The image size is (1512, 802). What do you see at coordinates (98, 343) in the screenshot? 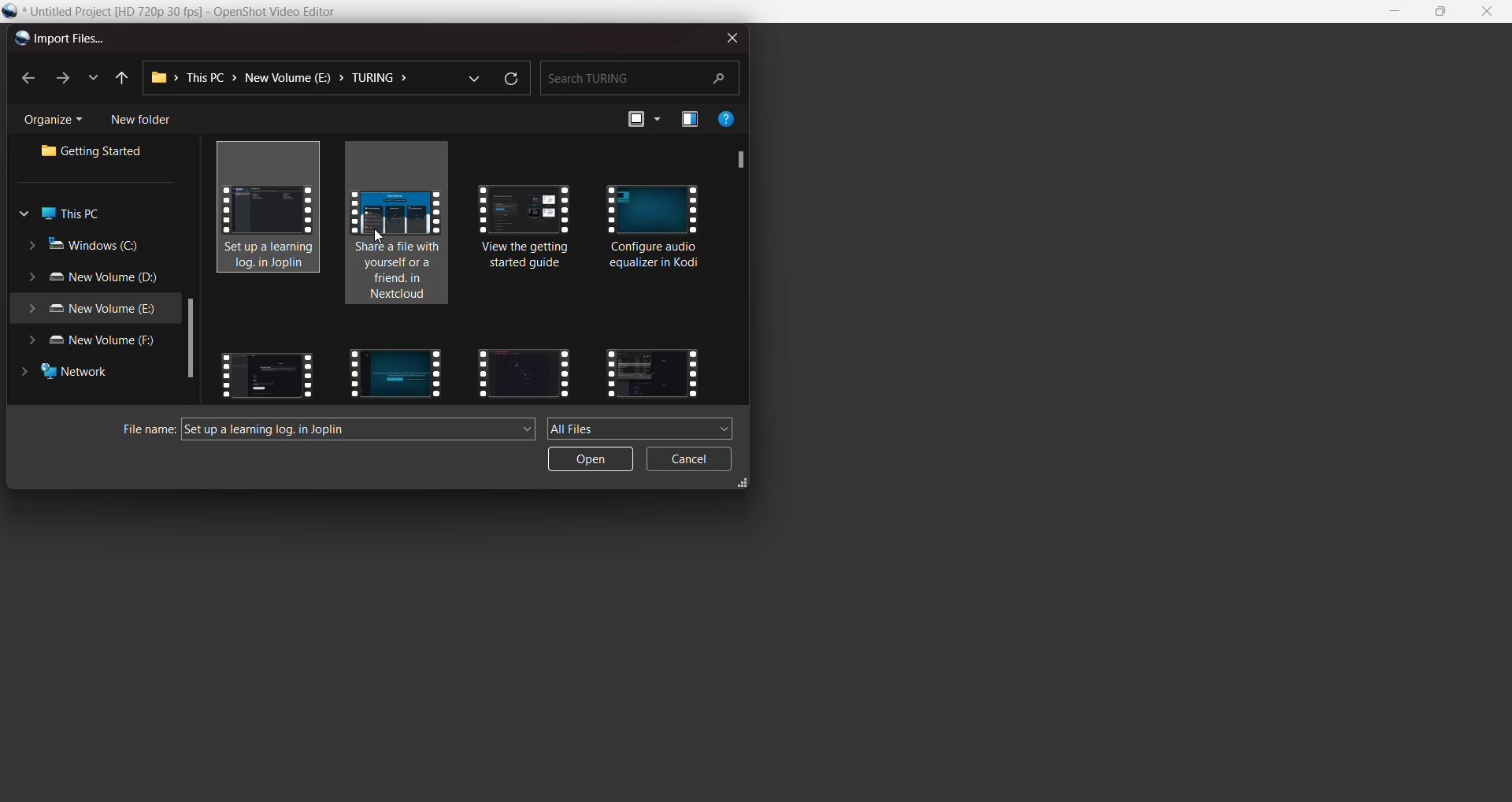
I see `new volume f` at bounding box center [98, 343].